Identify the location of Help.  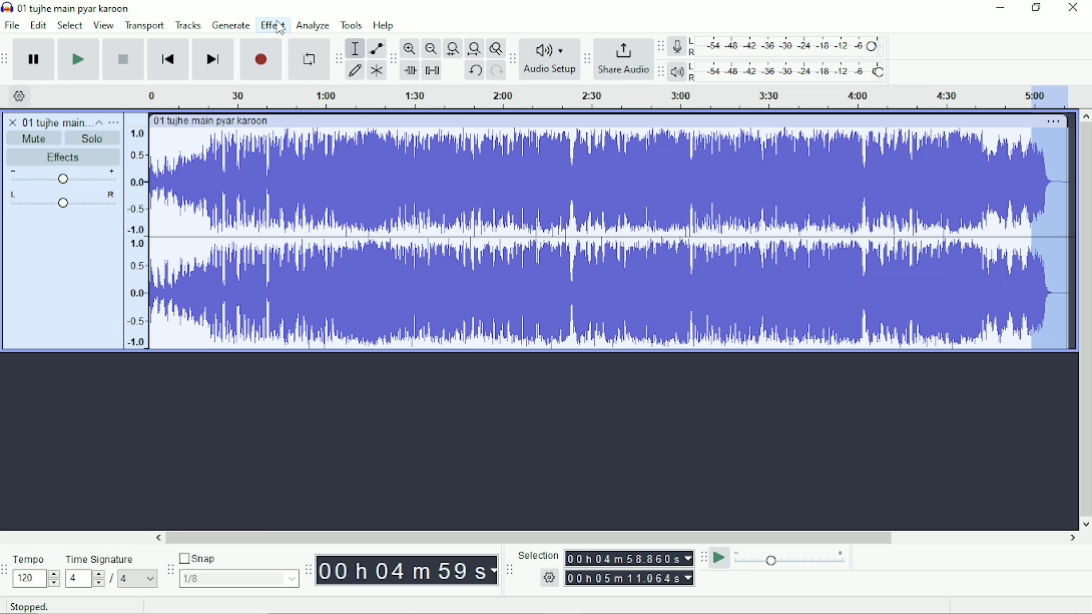
(385, 25).